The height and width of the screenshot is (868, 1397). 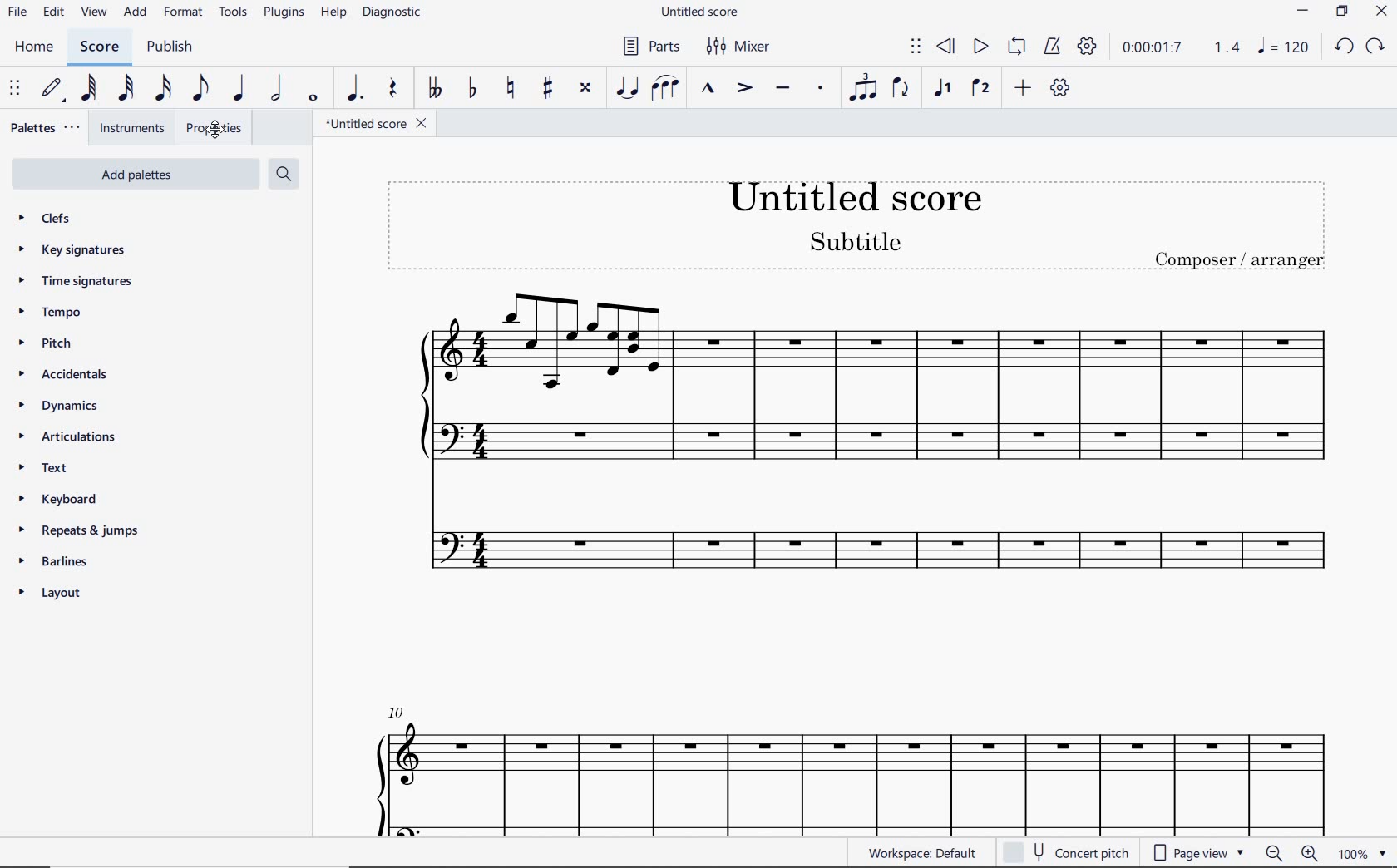 I want to click on MINIMIZE, so click(x=1302, y=11).